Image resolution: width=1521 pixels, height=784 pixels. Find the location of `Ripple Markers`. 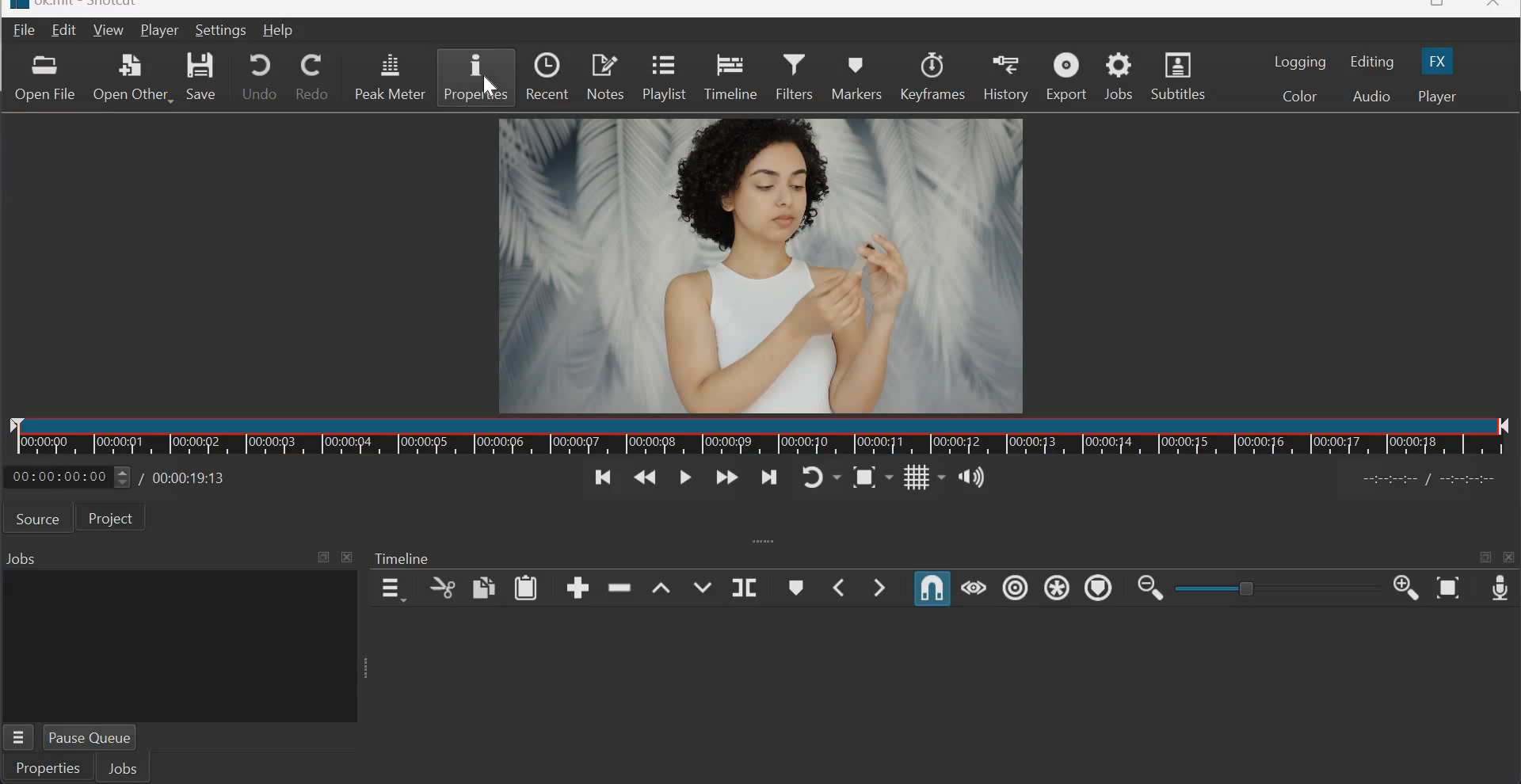

Ripple Markers is located at coordinates (1097, 587).